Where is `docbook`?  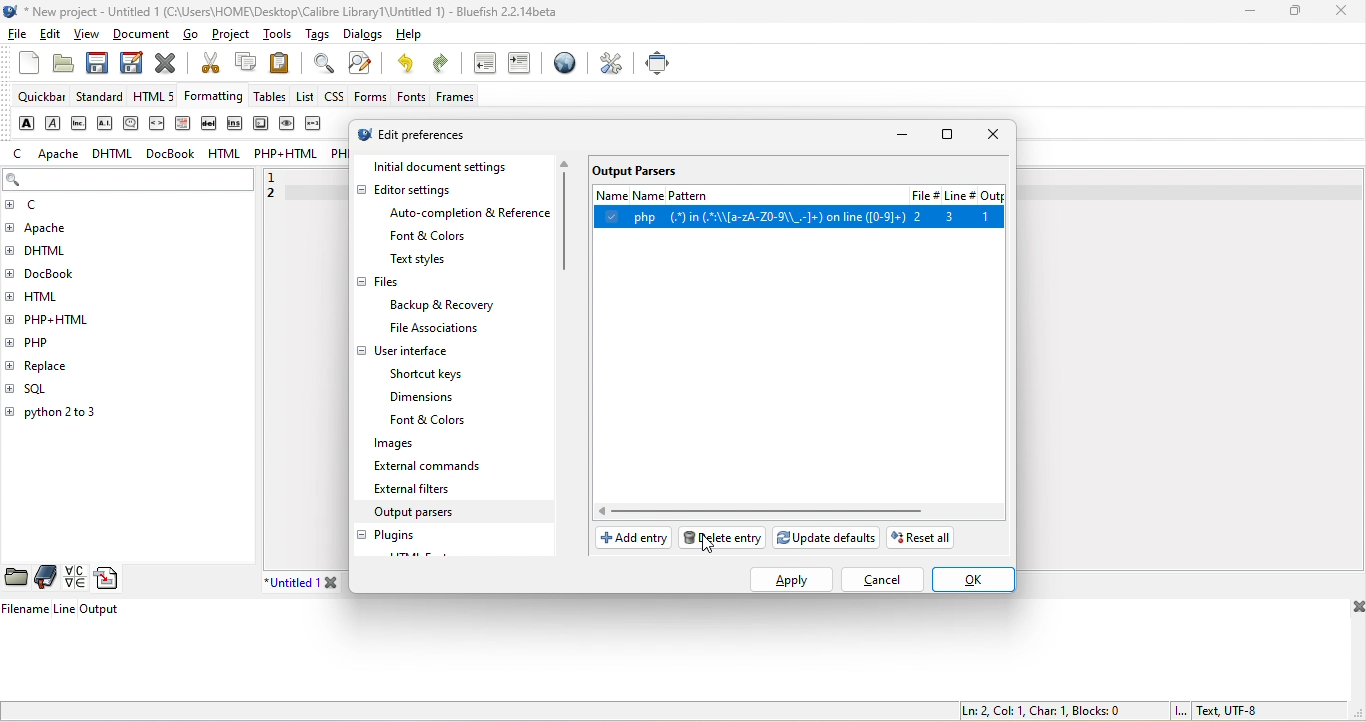
docbook is located at coordinates (60, 276).